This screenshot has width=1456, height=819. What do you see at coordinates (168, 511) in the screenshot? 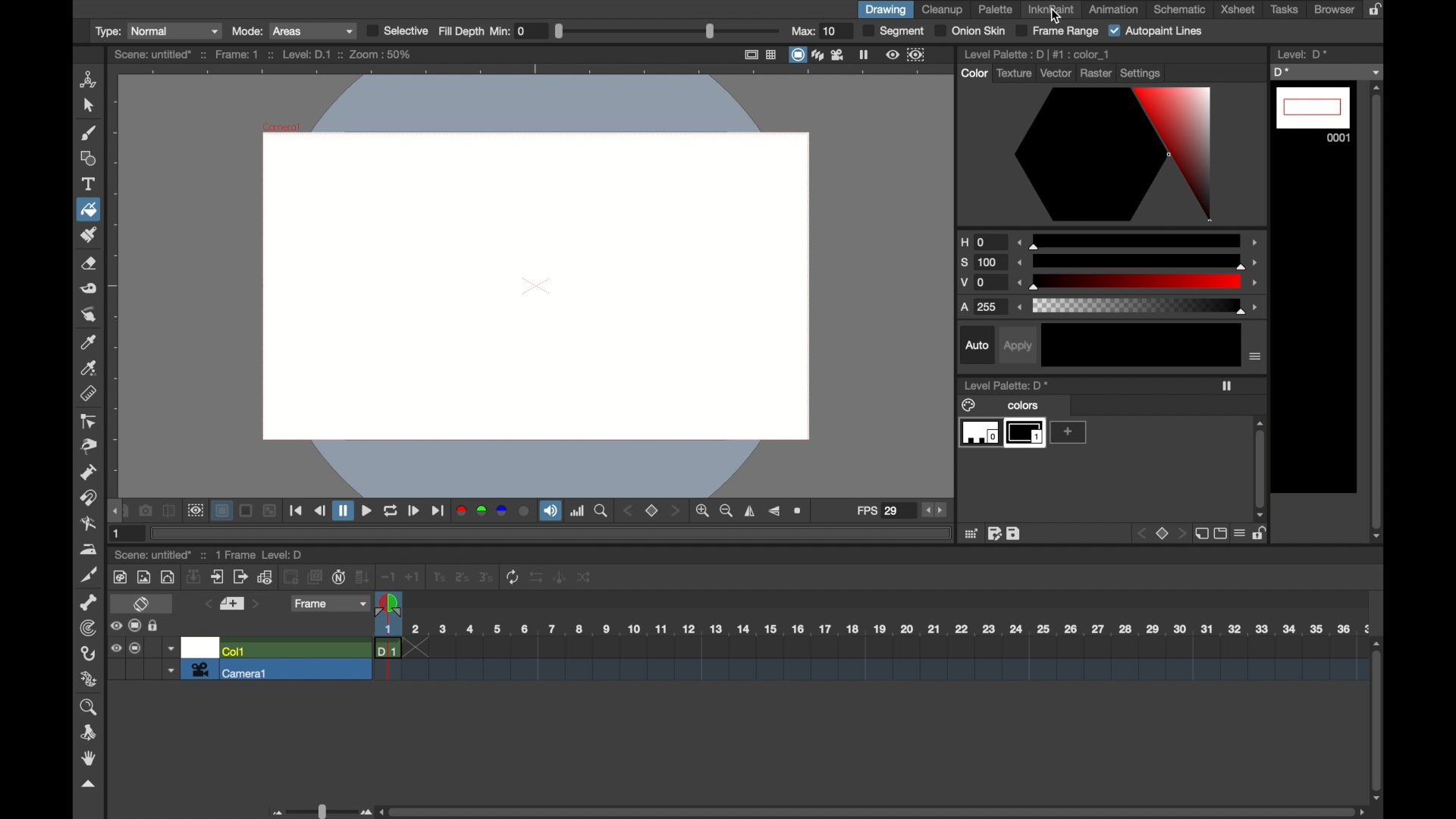
I see `compare to snapshot` at bounding box center [168, 511].